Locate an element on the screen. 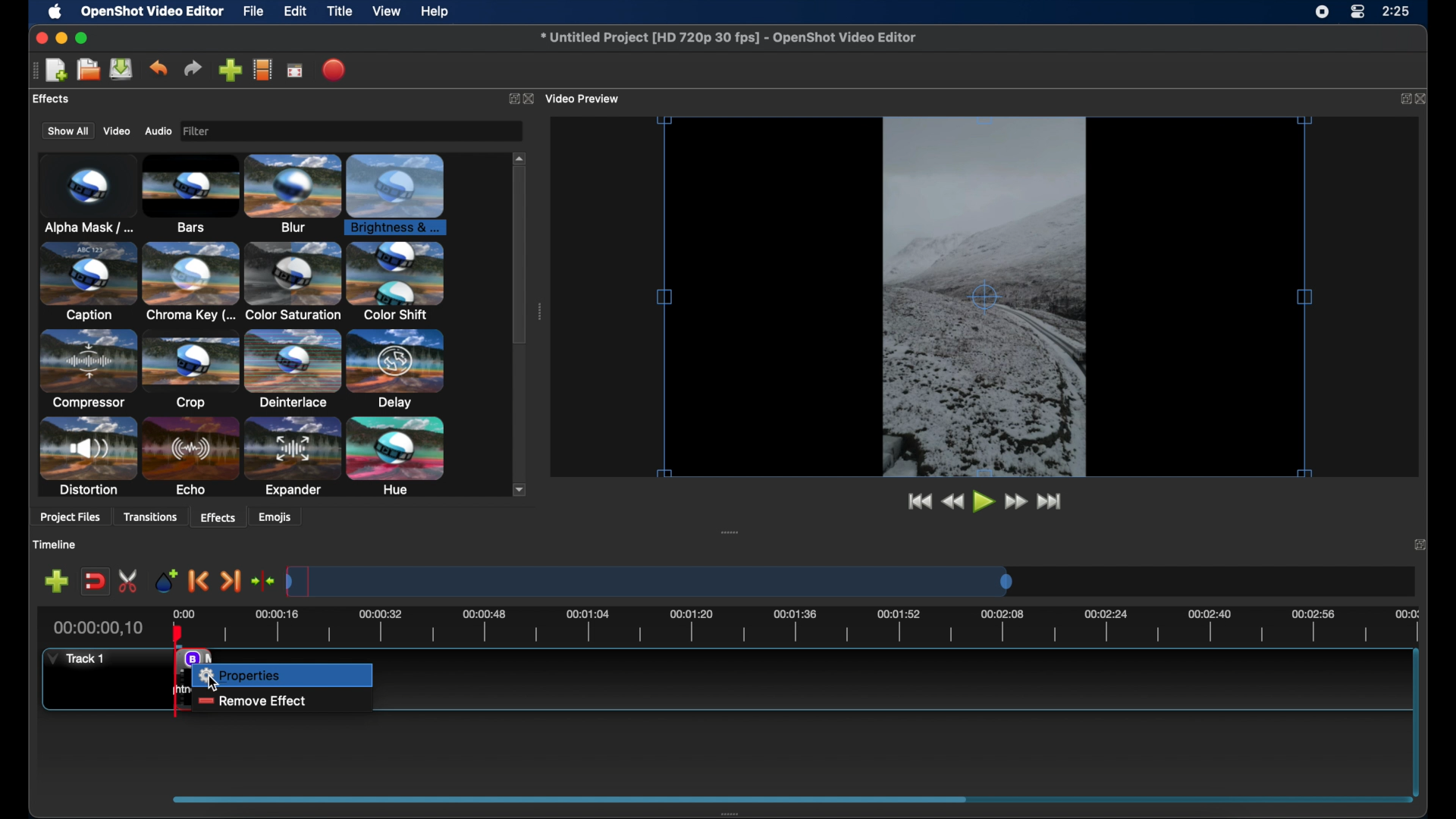 This screenshot has height=819, width=1456. timeline scale is located at coordinates (649, 580).